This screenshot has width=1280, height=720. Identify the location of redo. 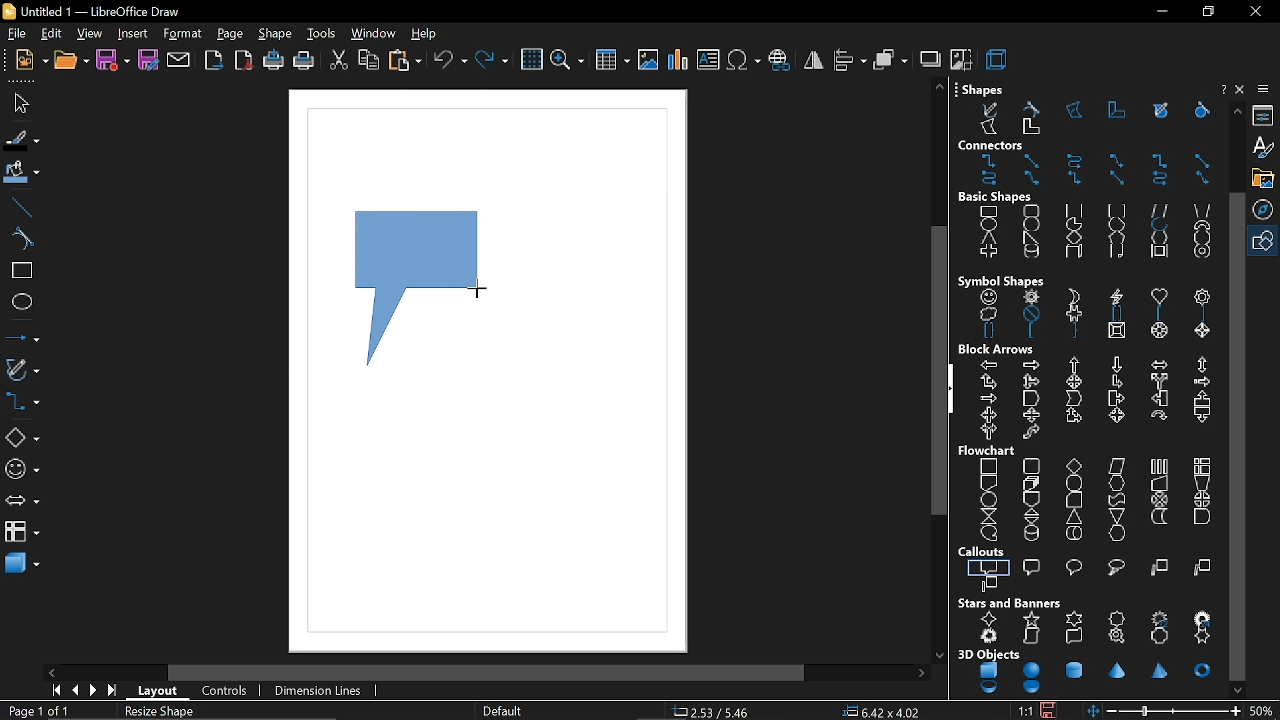
(493, 61).